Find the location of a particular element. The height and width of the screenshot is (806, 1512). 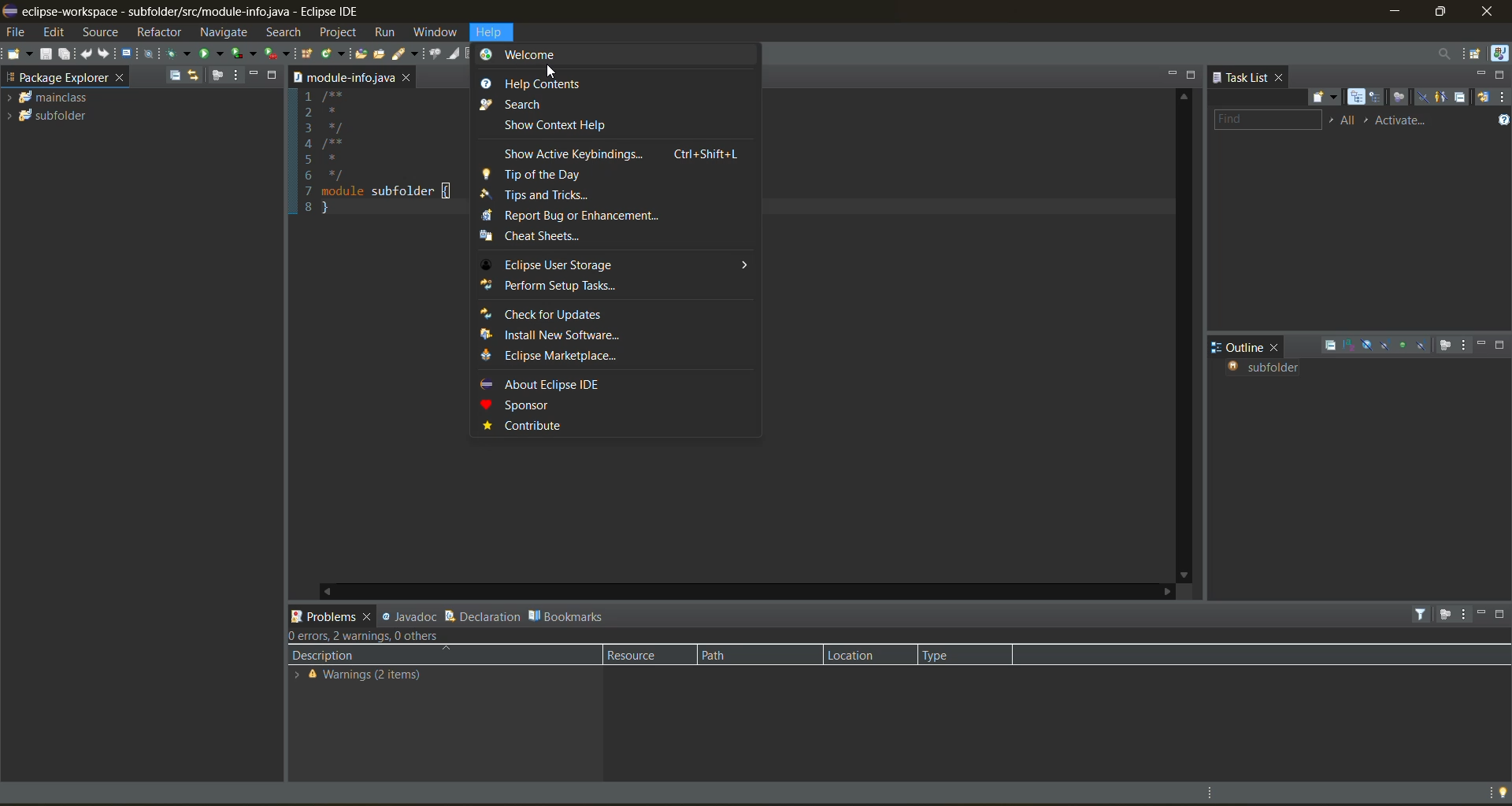

close is located at coordinates (1282, 78).